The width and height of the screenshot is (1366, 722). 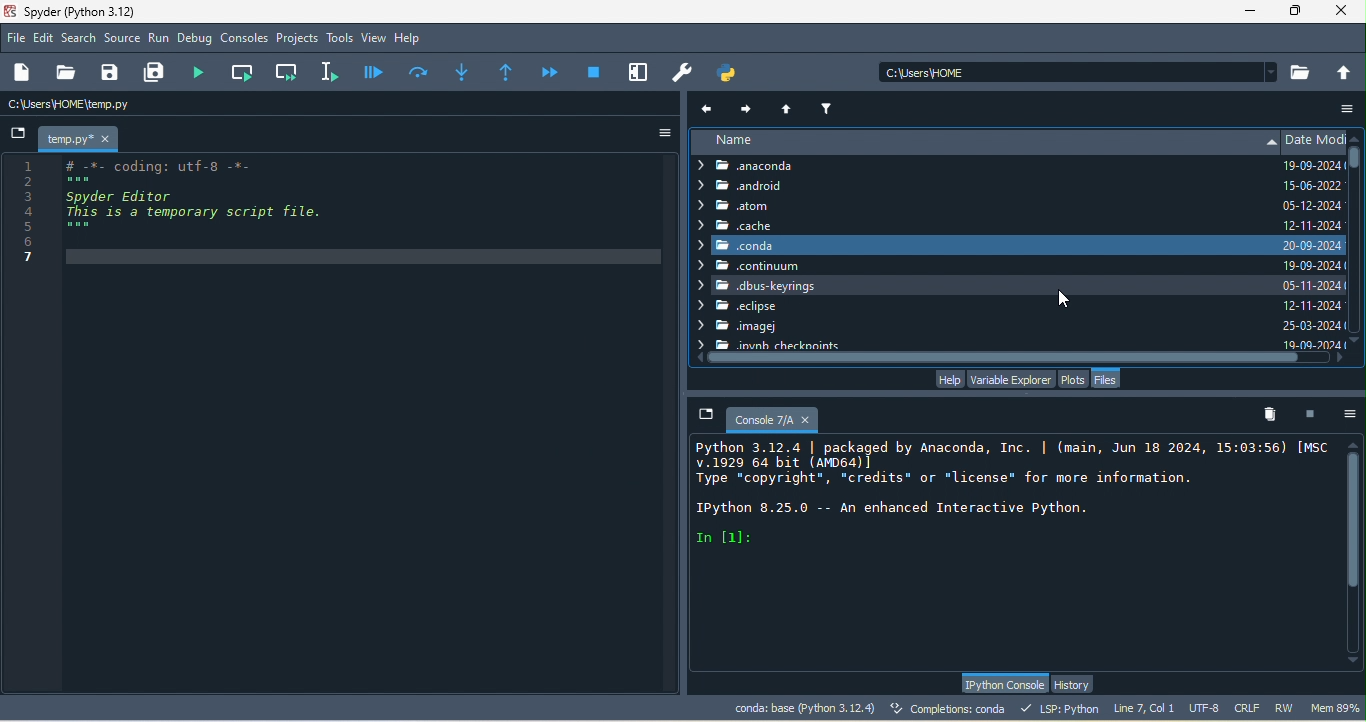 What do you see at coordinates (752, 266) in the screenshot?
I see `continuum` at bounding box center [752, 266].